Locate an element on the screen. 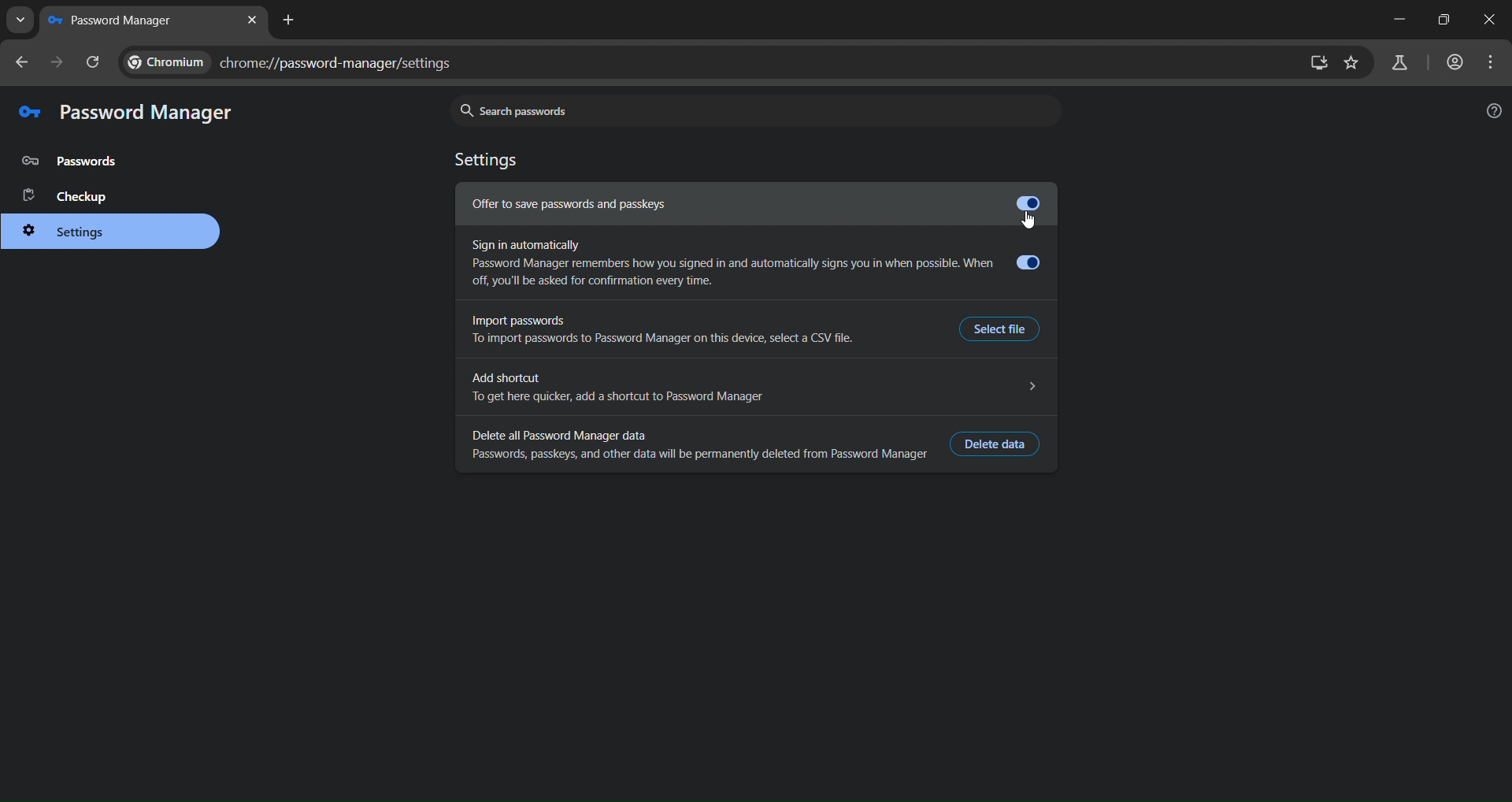  accounts is located at coordinates (1456, 61).